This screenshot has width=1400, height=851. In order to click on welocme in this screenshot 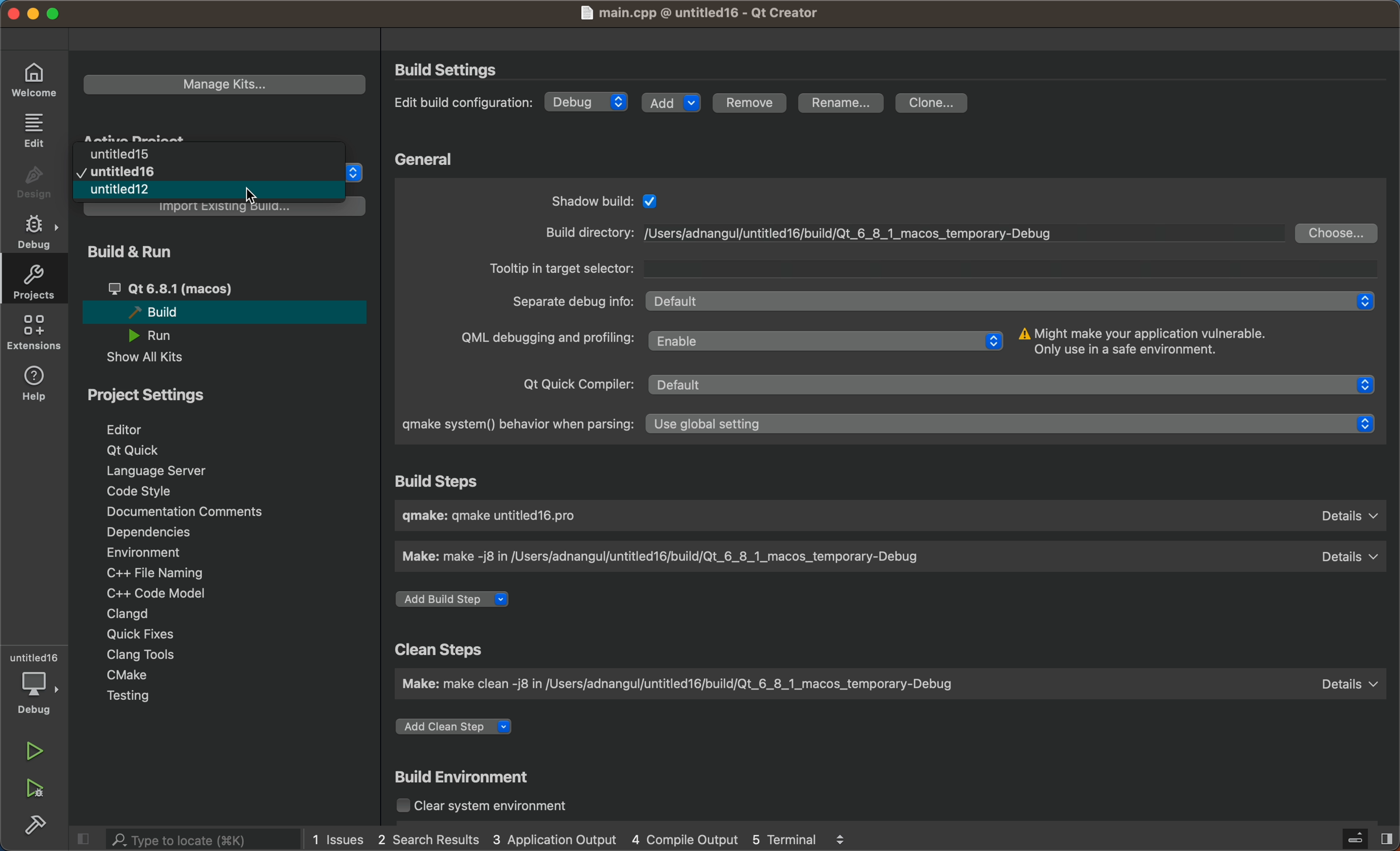, I will do `click(32, 82)`.